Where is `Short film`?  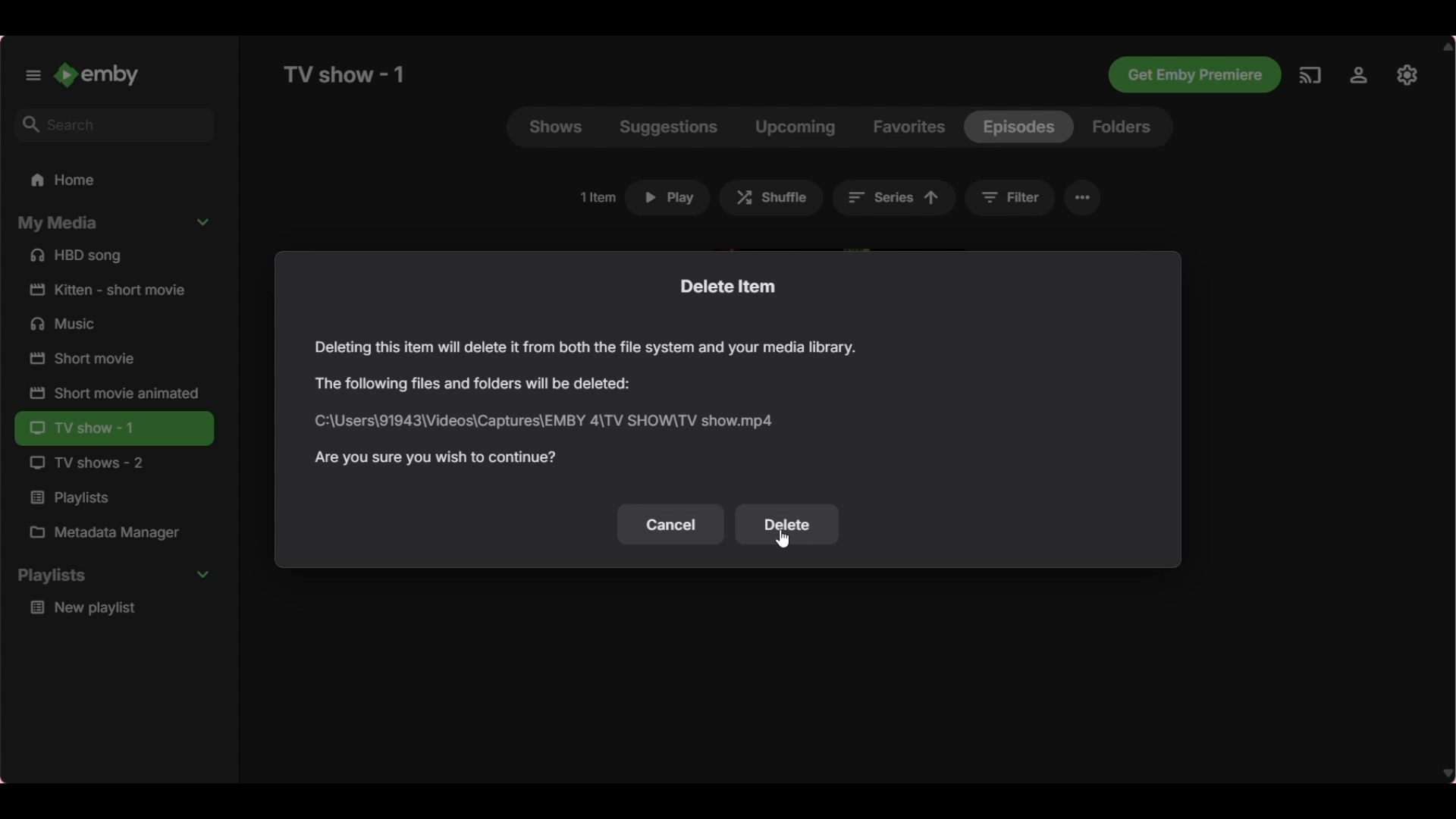
Short film is located at coordinates (115, 290).